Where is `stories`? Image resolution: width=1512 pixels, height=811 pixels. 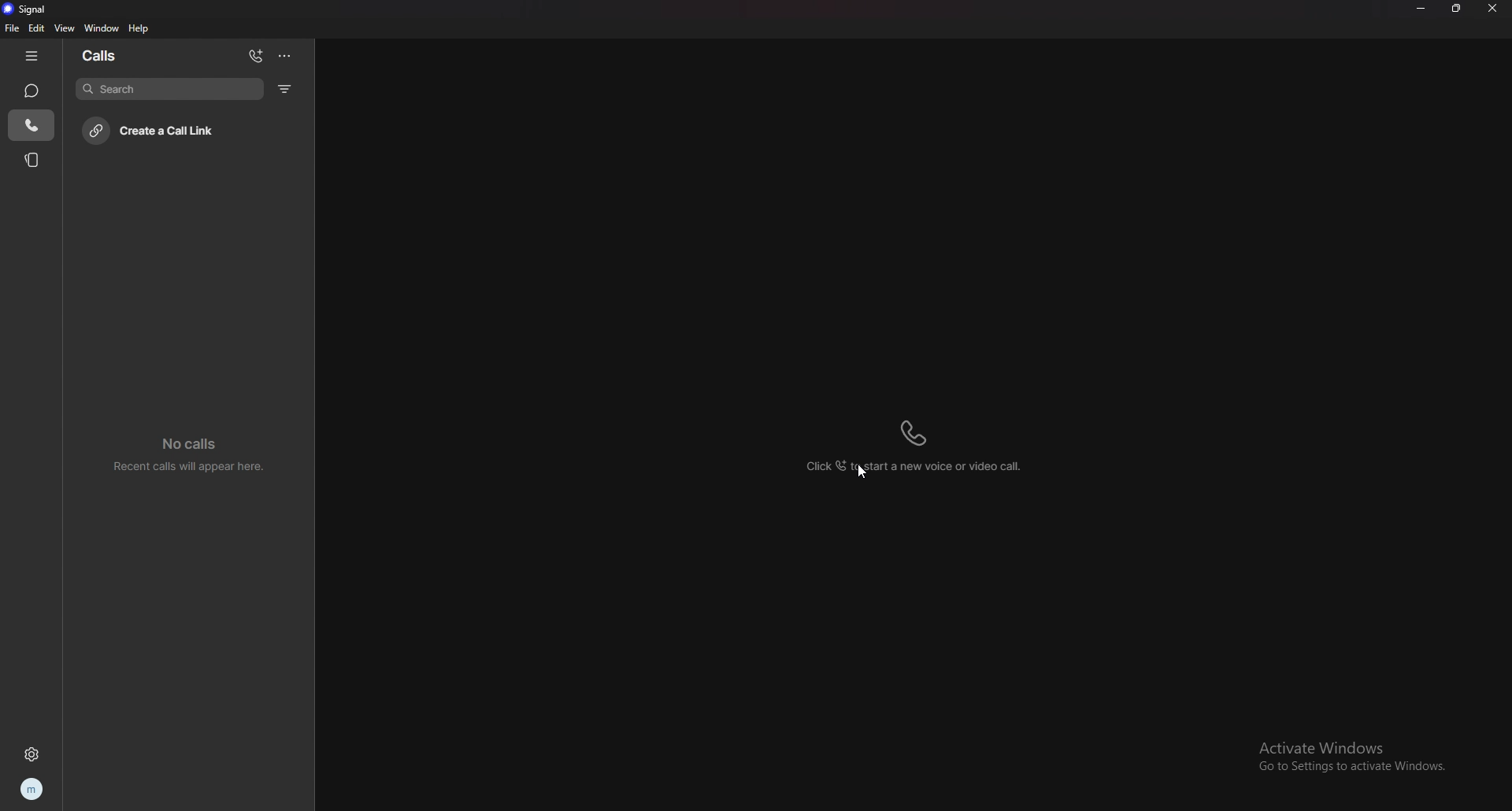 stories is located at coordinates (32, 160).